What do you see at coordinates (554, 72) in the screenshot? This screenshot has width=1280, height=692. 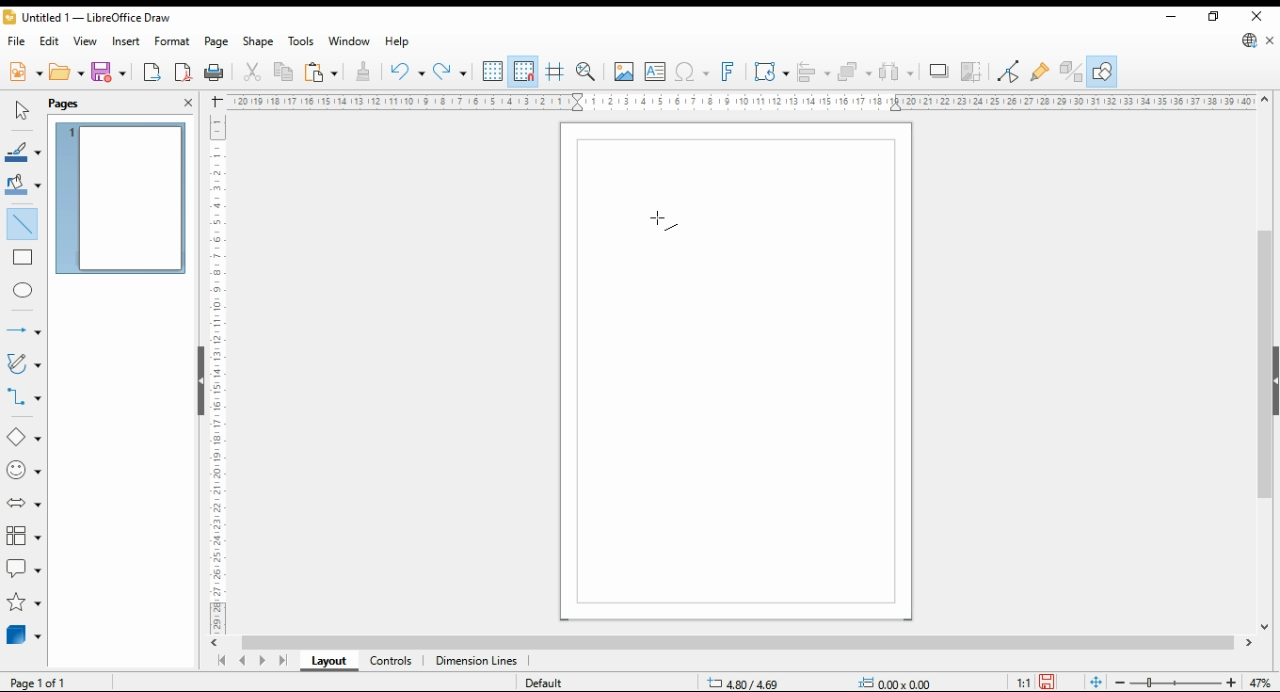 I see `helplines while moving` at bounding box center [554, 72].